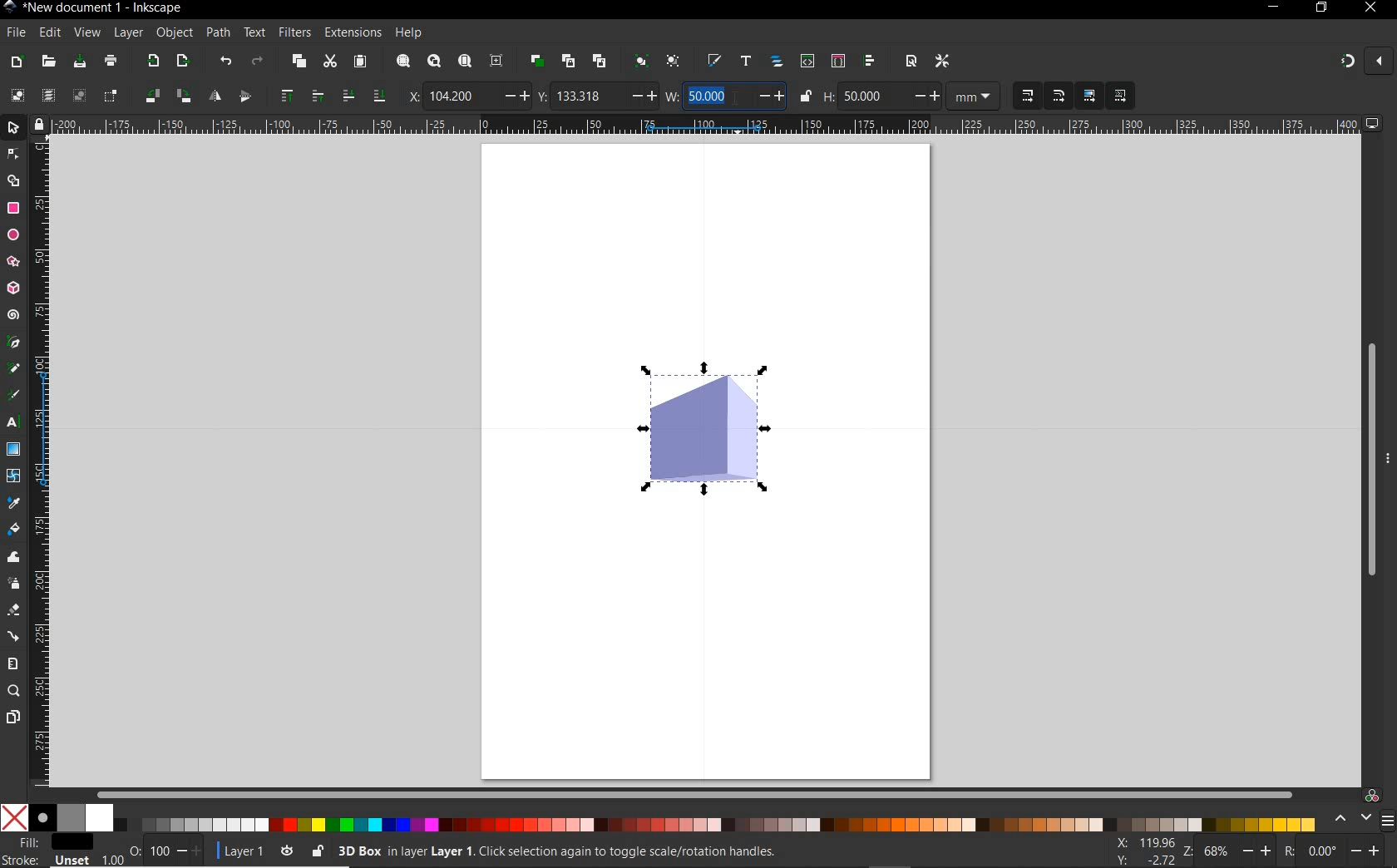  What do you see at coordinates (662, 817) in the screenshot?
I see `color mode` at bounding box center [662, 817].